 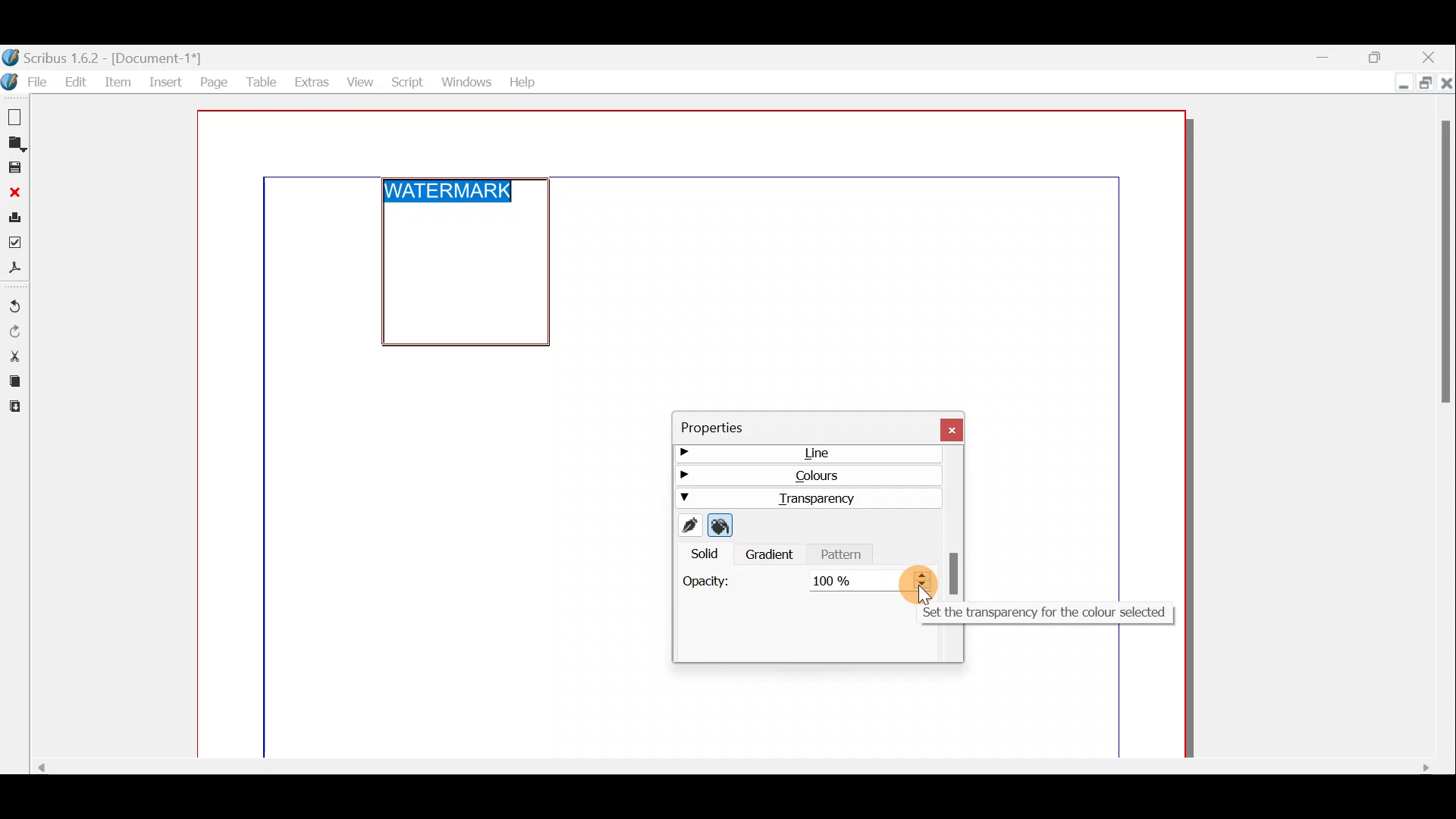 I want to click on Cut, so click(x=14, y=356).